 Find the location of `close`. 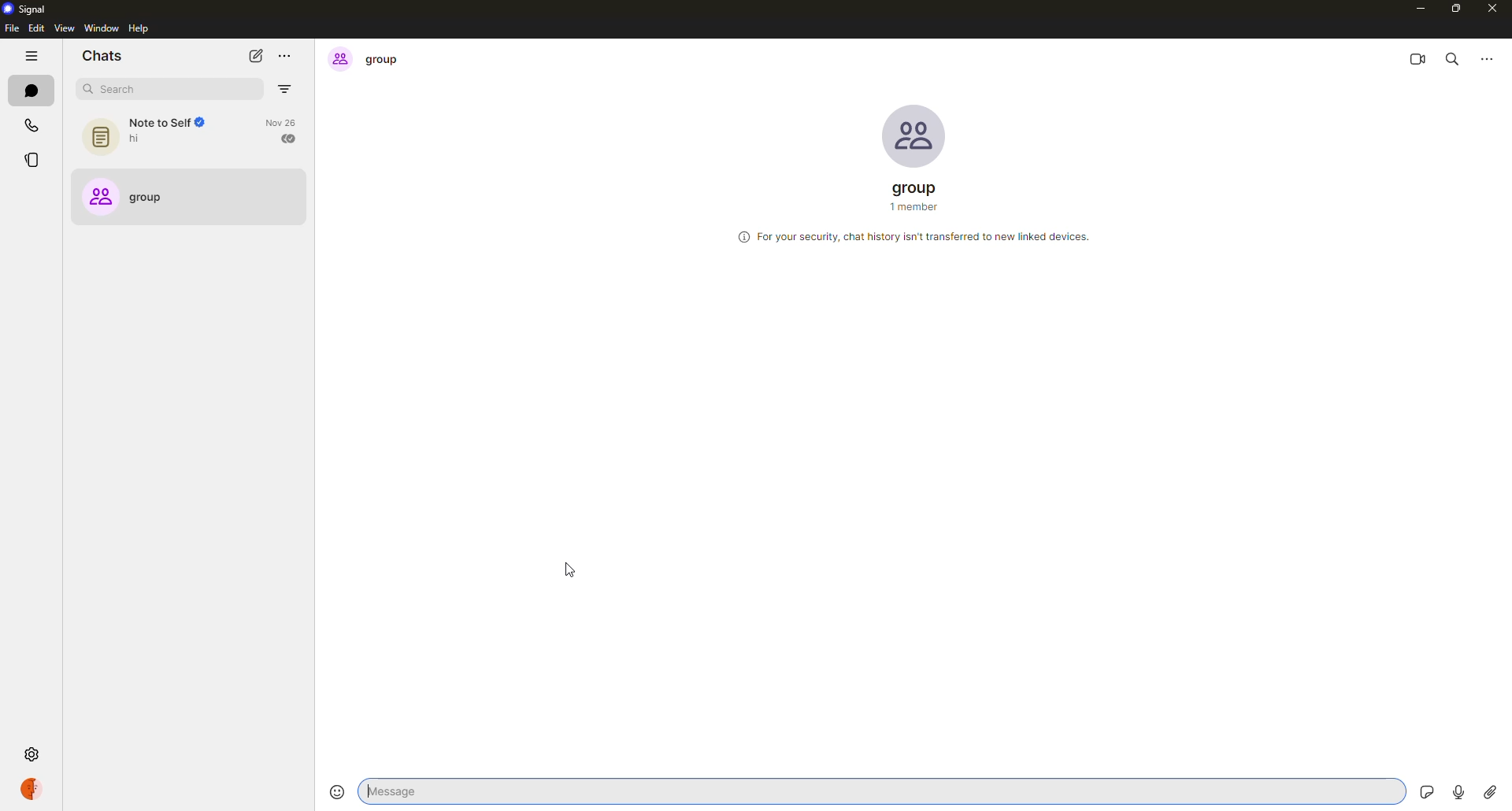

close is located at coordinates (1494, 11).